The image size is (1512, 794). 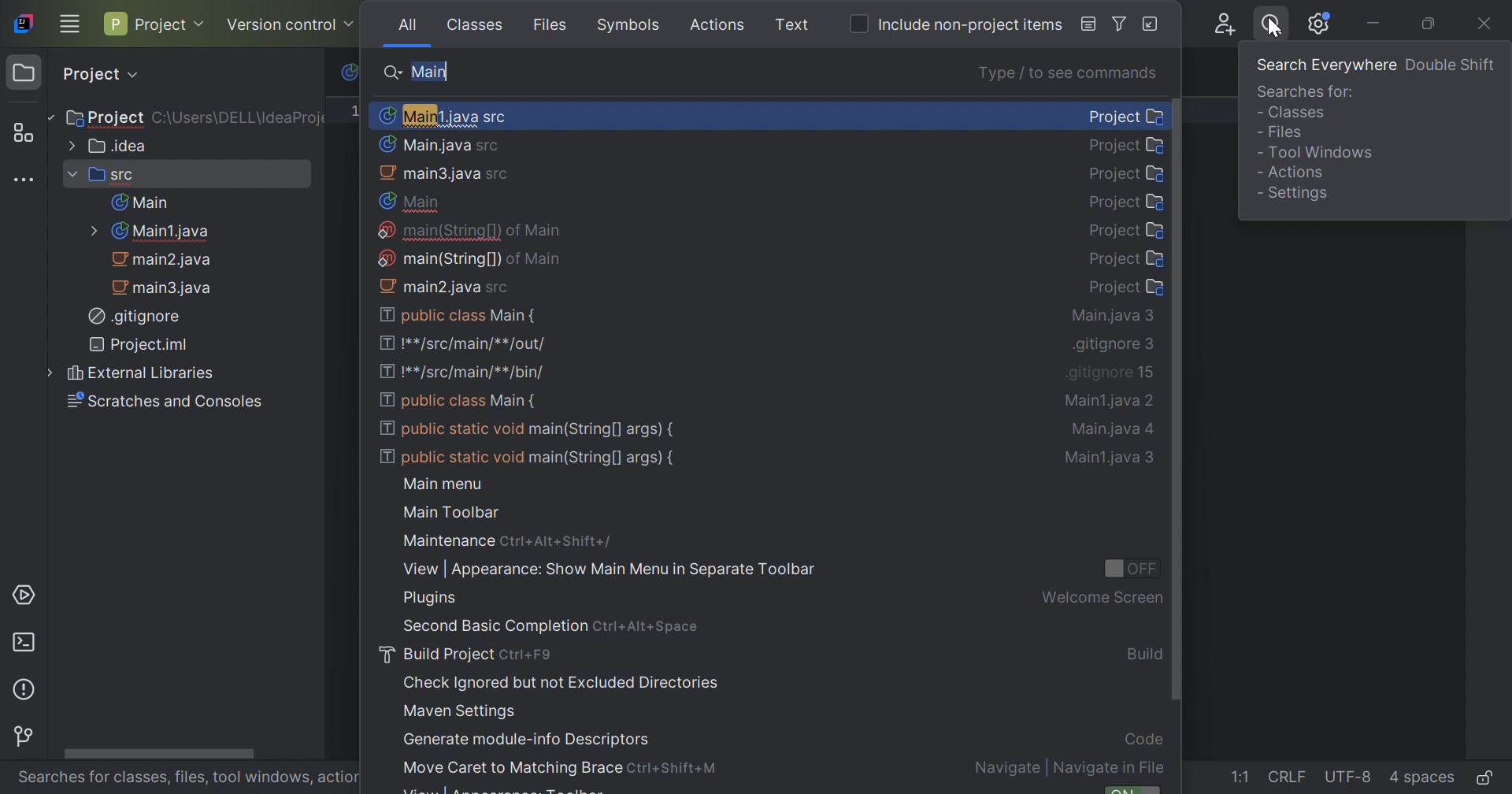 I want to click on Ctrl+Alt+Space, so click(x=647, y=626).